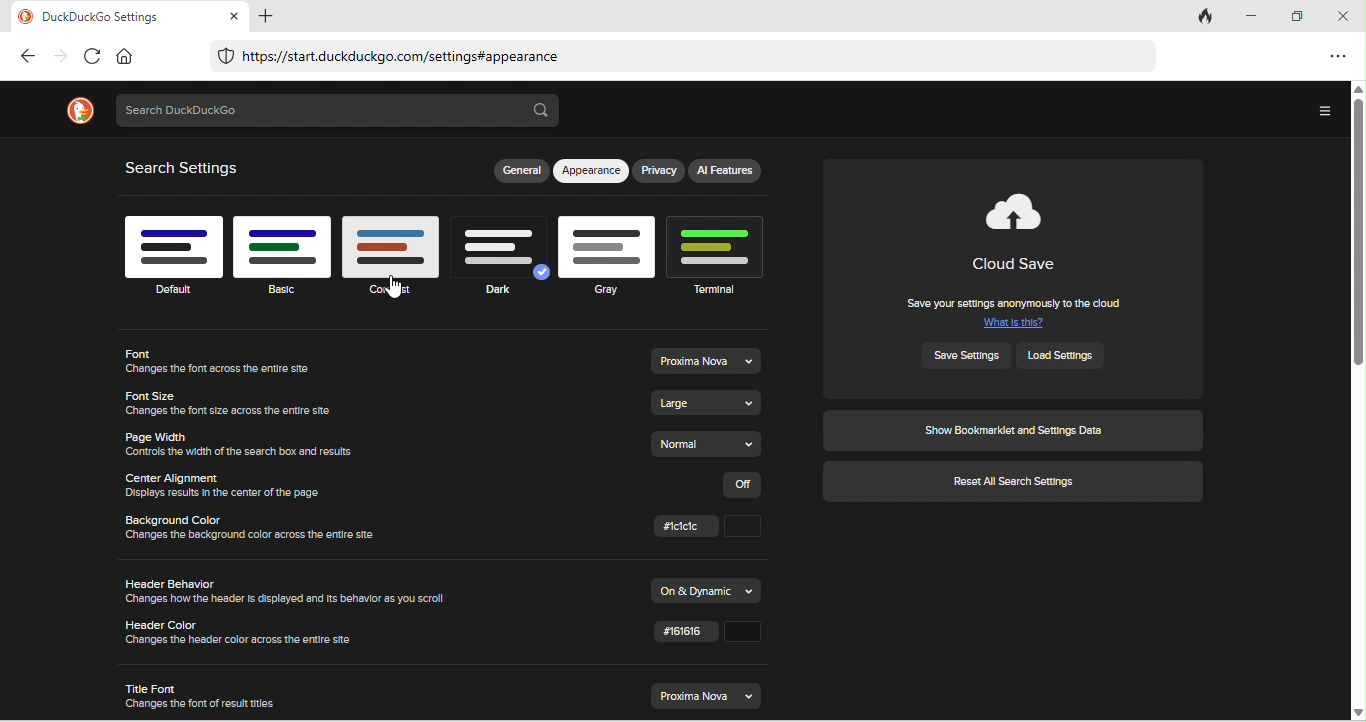 The height and width of the screenshot is (722, 1366). I want to click on save your settings anonymously to the cloud, so click(1014, 310).